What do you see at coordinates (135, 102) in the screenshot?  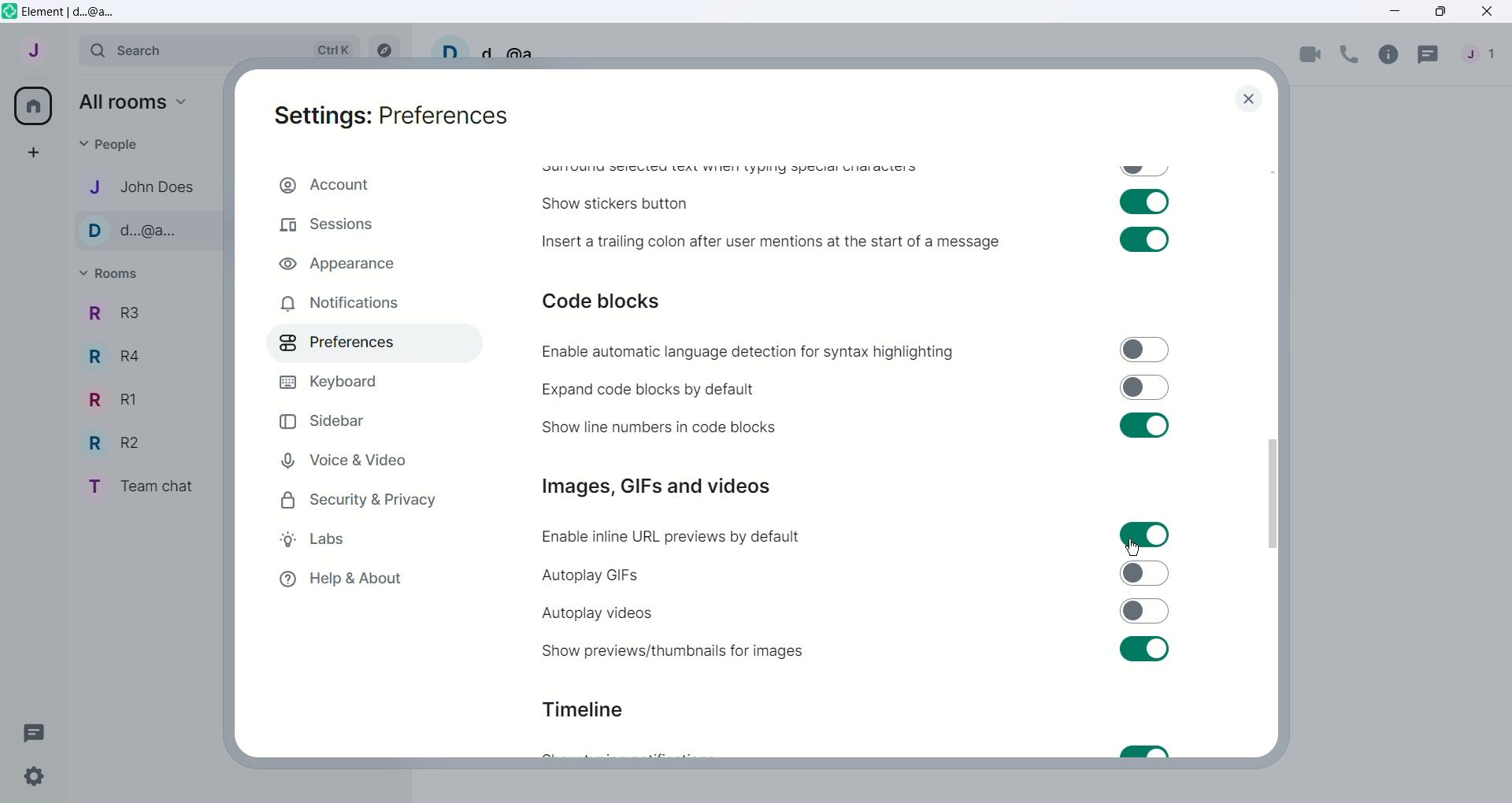 I see `All rooms` at bounding box center [135, 102].